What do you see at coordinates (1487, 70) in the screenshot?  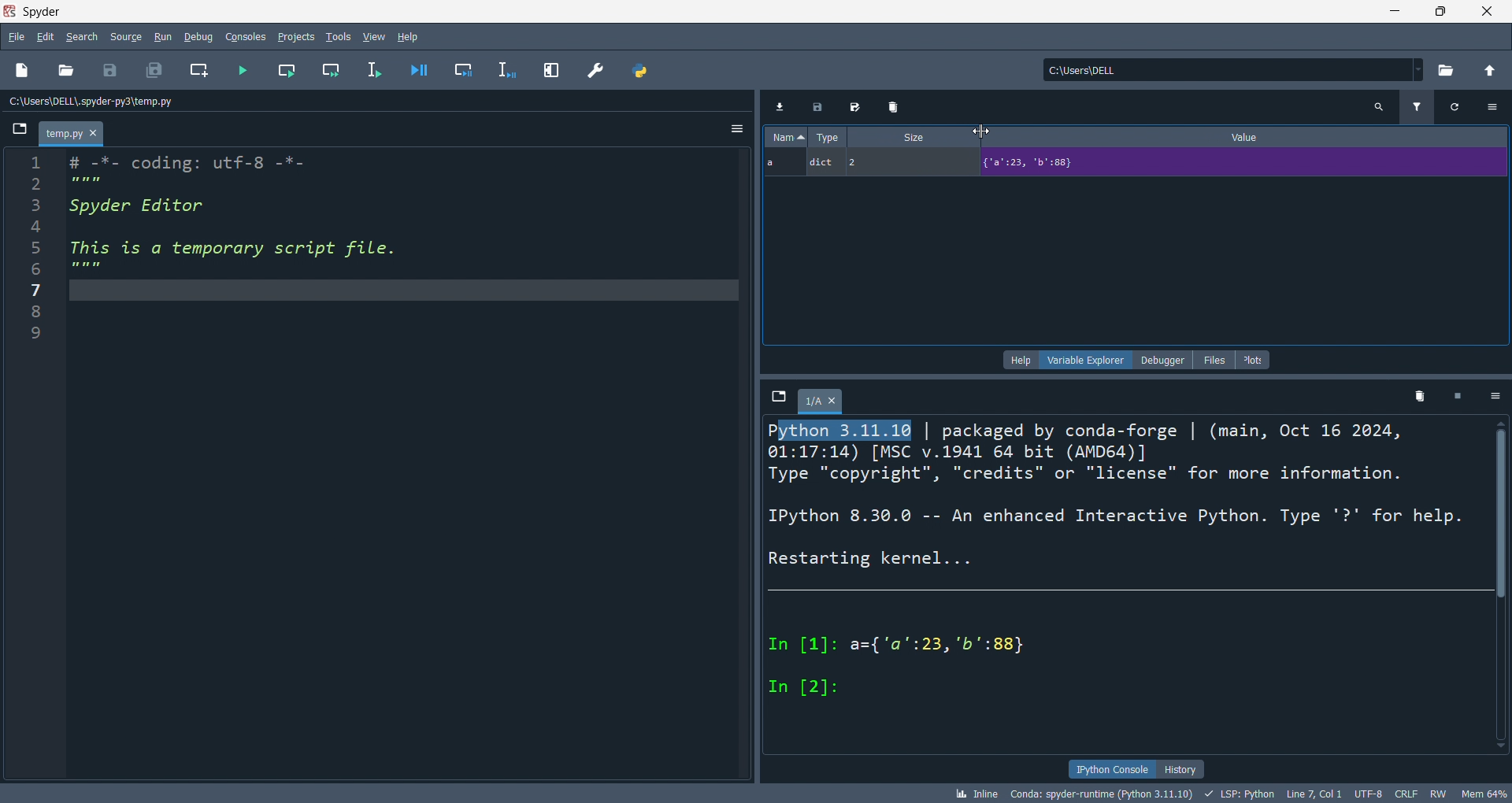 I see `open parent directory` at bounding box center [1487, 70].